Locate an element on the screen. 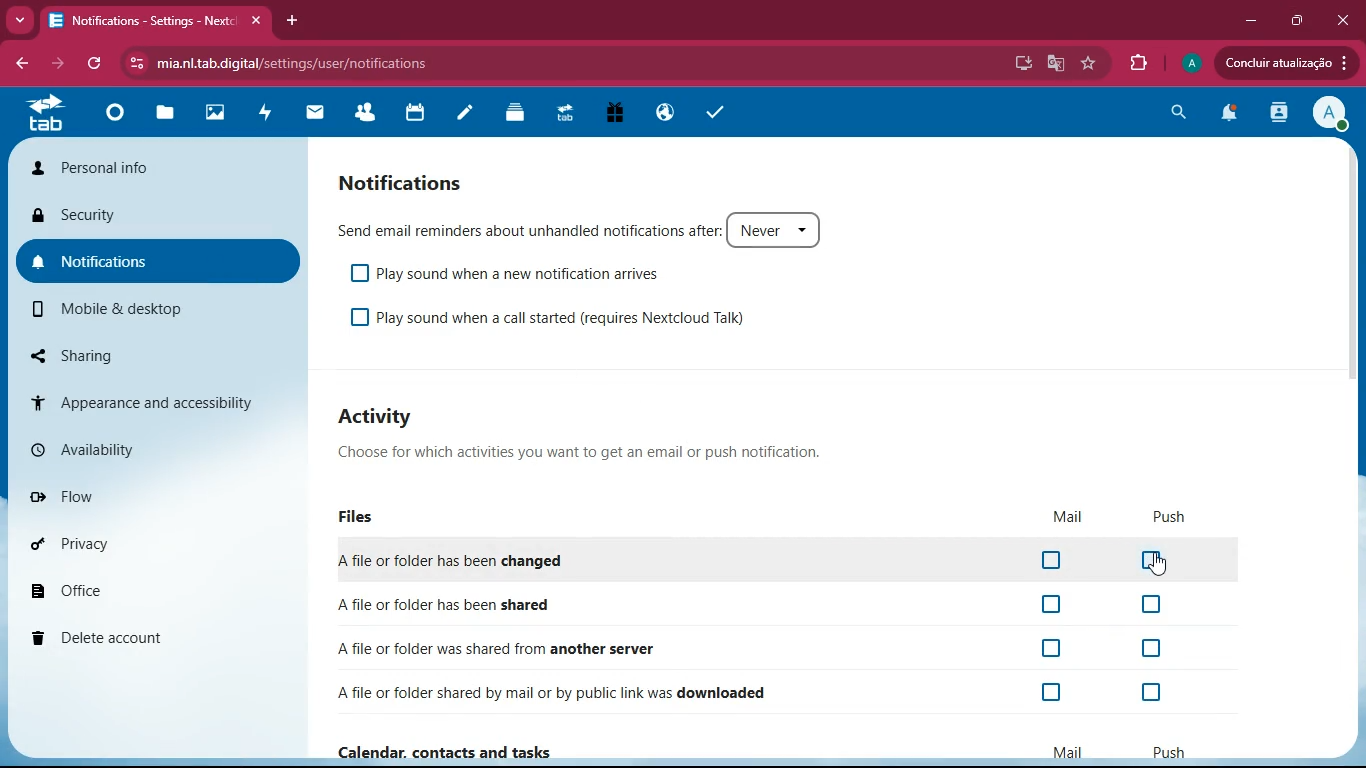 The width and height of the screenshot is (1366, 768). off is located at coordinates (1159, 606).